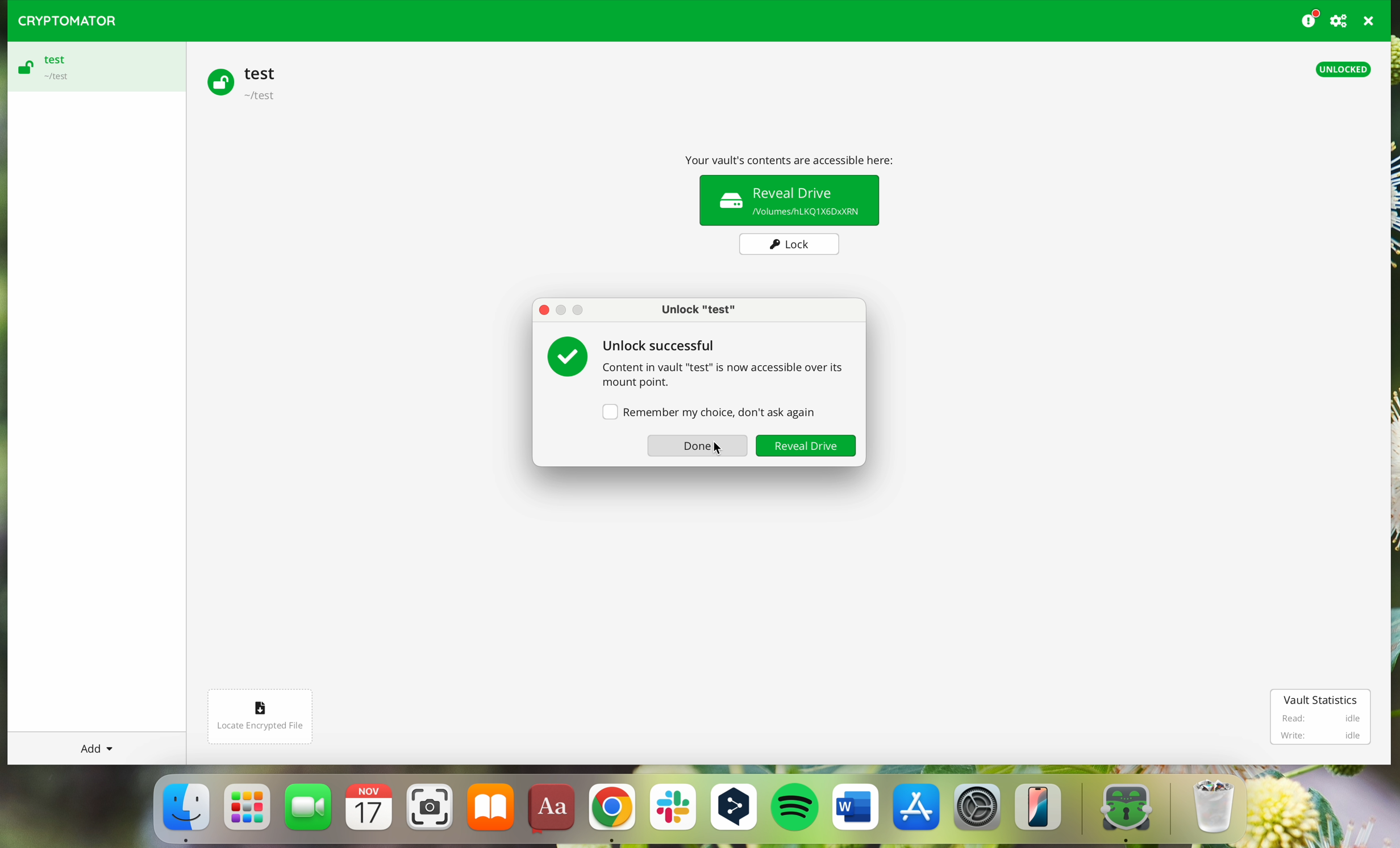 The image size is (1400, 848). Describe the element at coordinates (736, 809) in the screenshot. I see `DeepL` at that location.